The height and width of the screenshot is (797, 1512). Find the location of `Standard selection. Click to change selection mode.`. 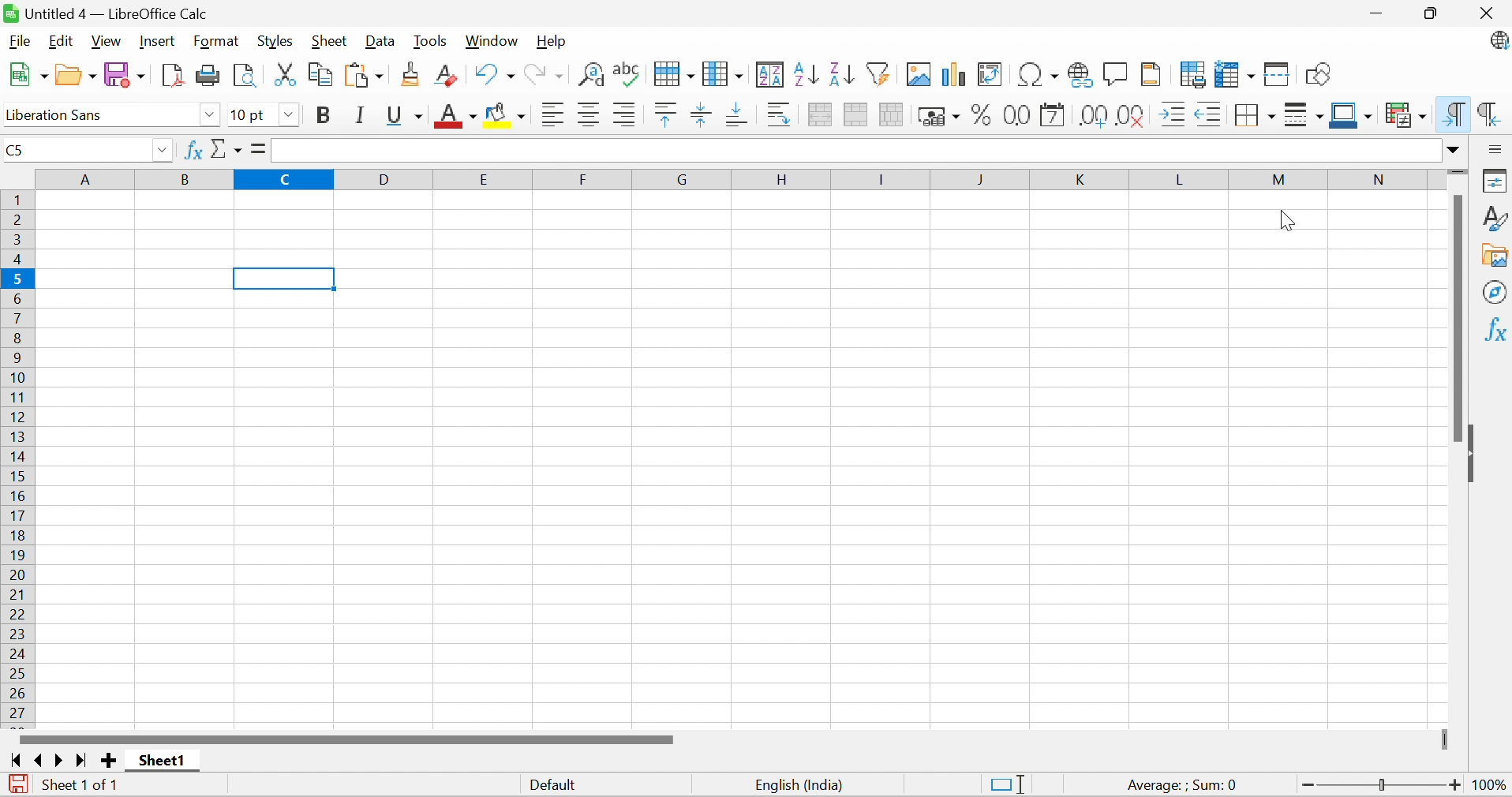

Standard selection. Click to change selection mode. is located at coordinates (1008, 784).